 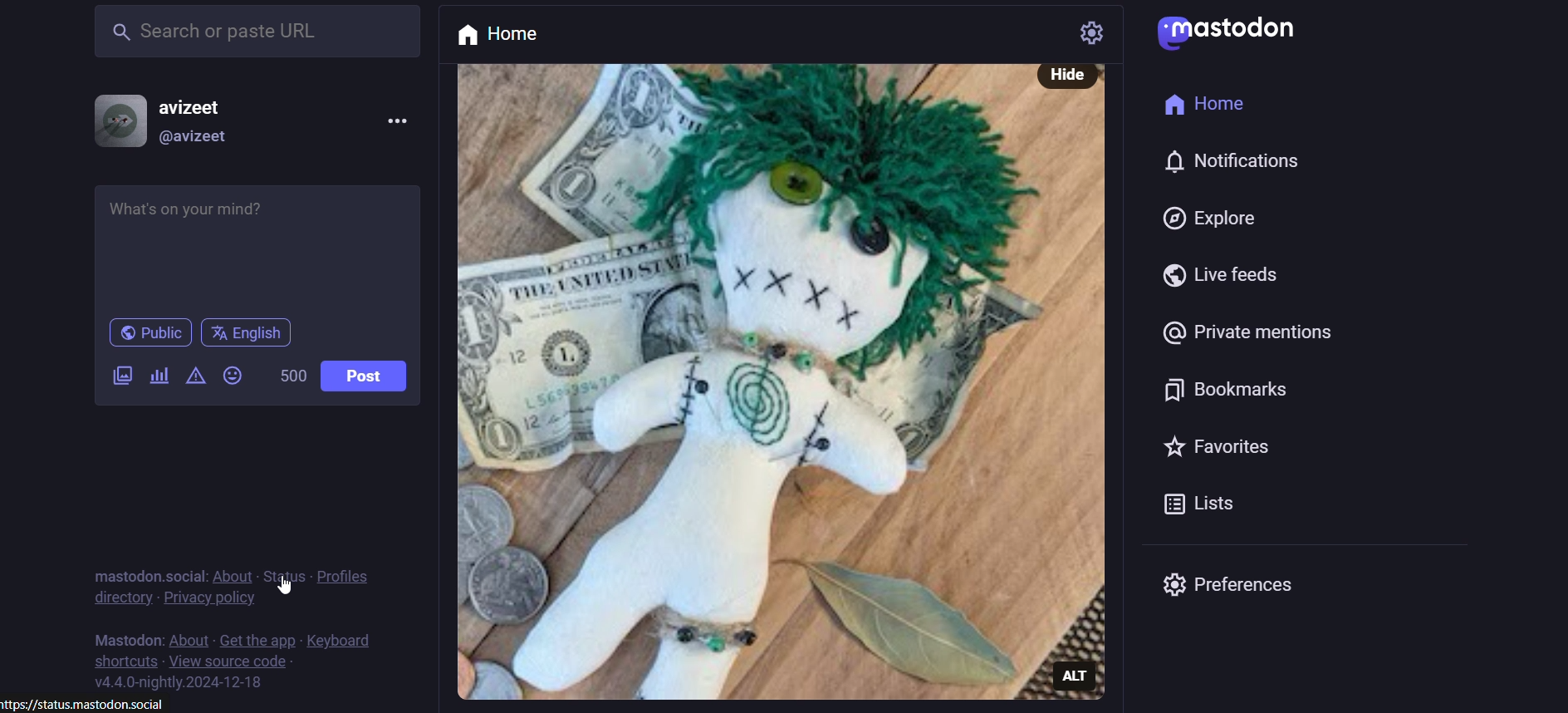 What do you see at coordinates (141, 567) in the screenshot?
I see `text` at bounding box center [141, 567].